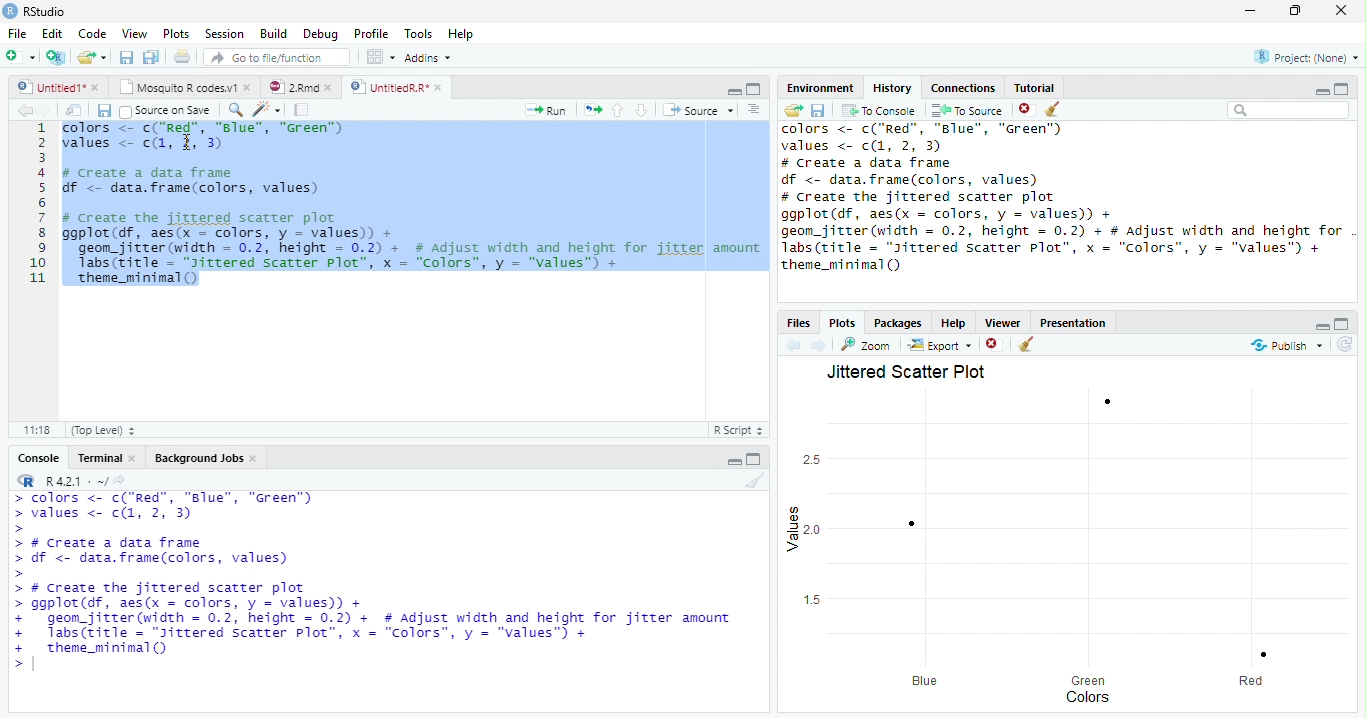 The width and height of the screenshot is (1366, 718). What do you see at coordinates (739, 430) in the screenshot?
I see `R Script` at bounding box center [739, 430].